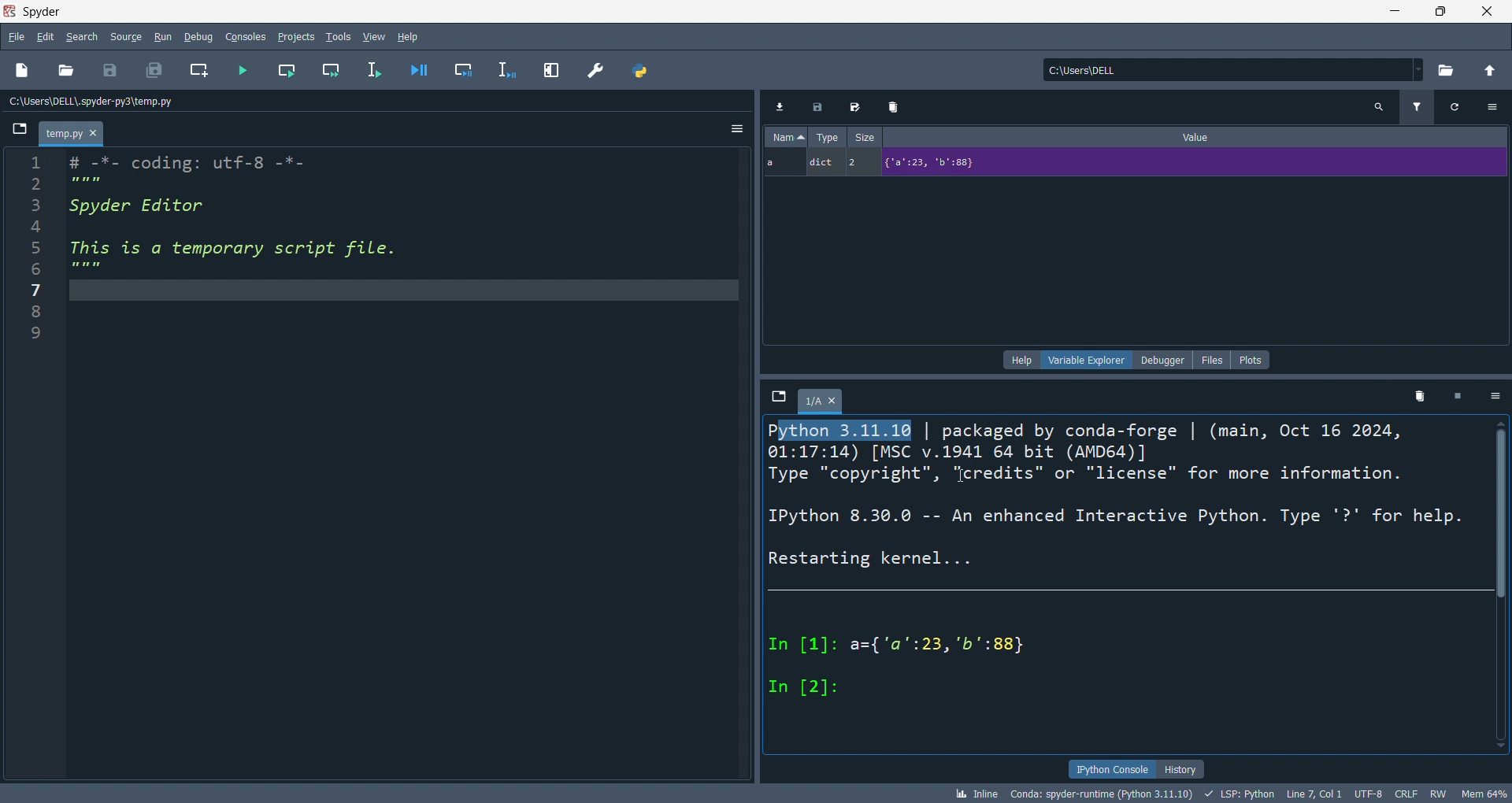 This screenshot has width=1512, height=803. What do you see at coordinates (858, 105) in the screenshot?
I see `savedata as` at bounding box center [858, 105].